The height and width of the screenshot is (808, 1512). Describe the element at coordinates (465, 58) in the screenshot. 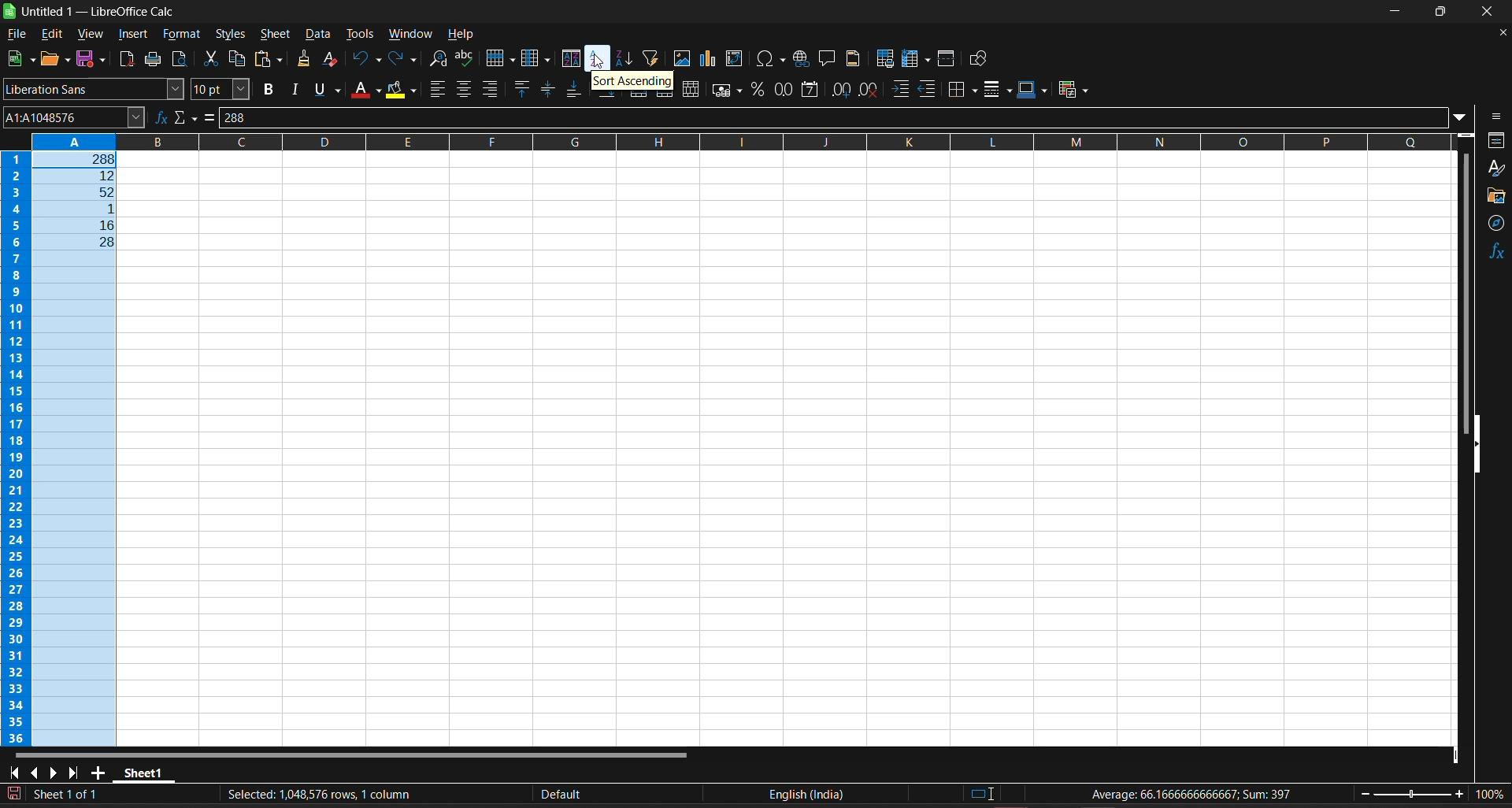

I see `spelling` at that location.